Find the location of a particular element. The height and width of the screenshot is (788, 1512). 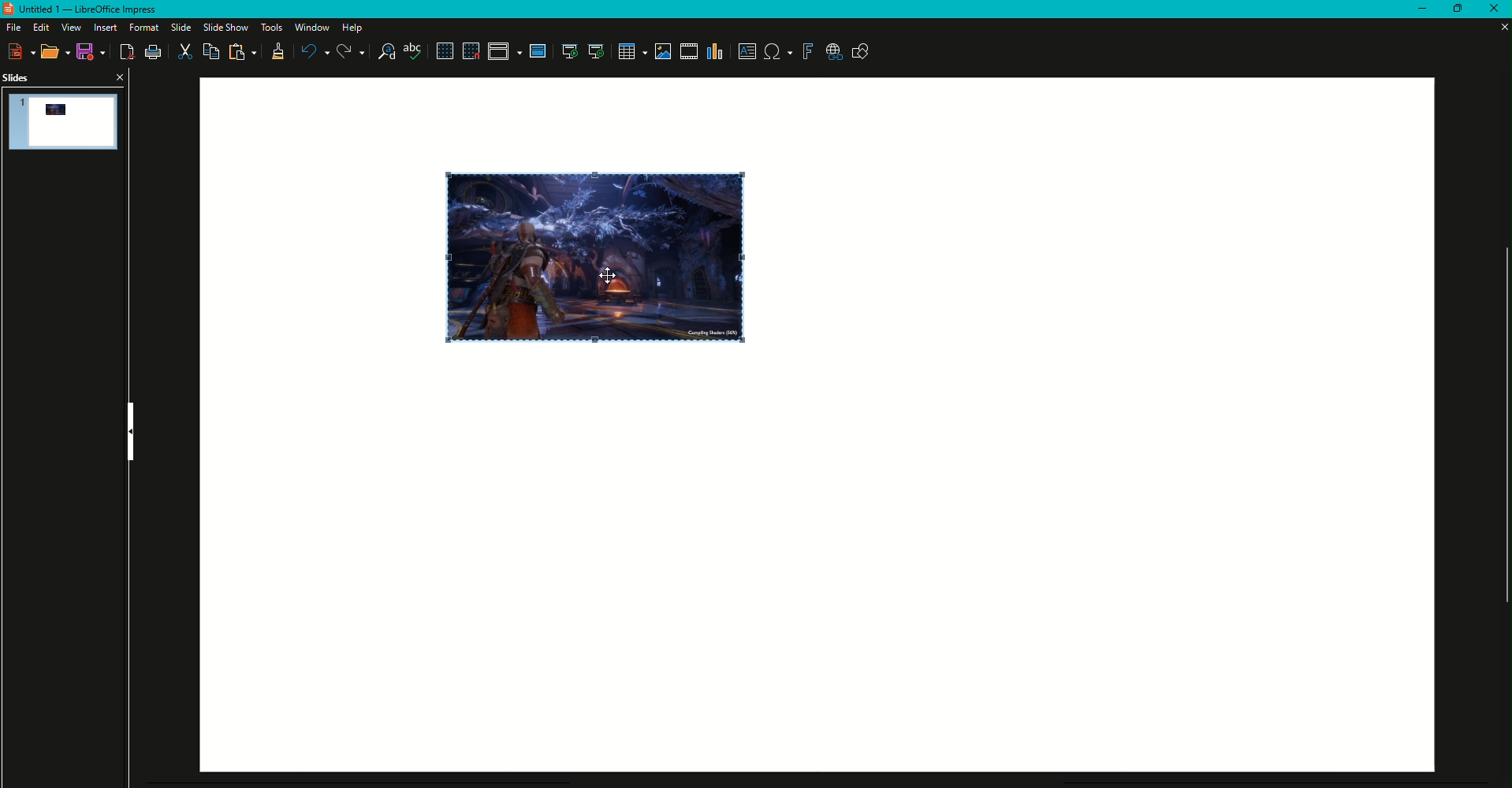

Help is located at coordinates (356, 28).